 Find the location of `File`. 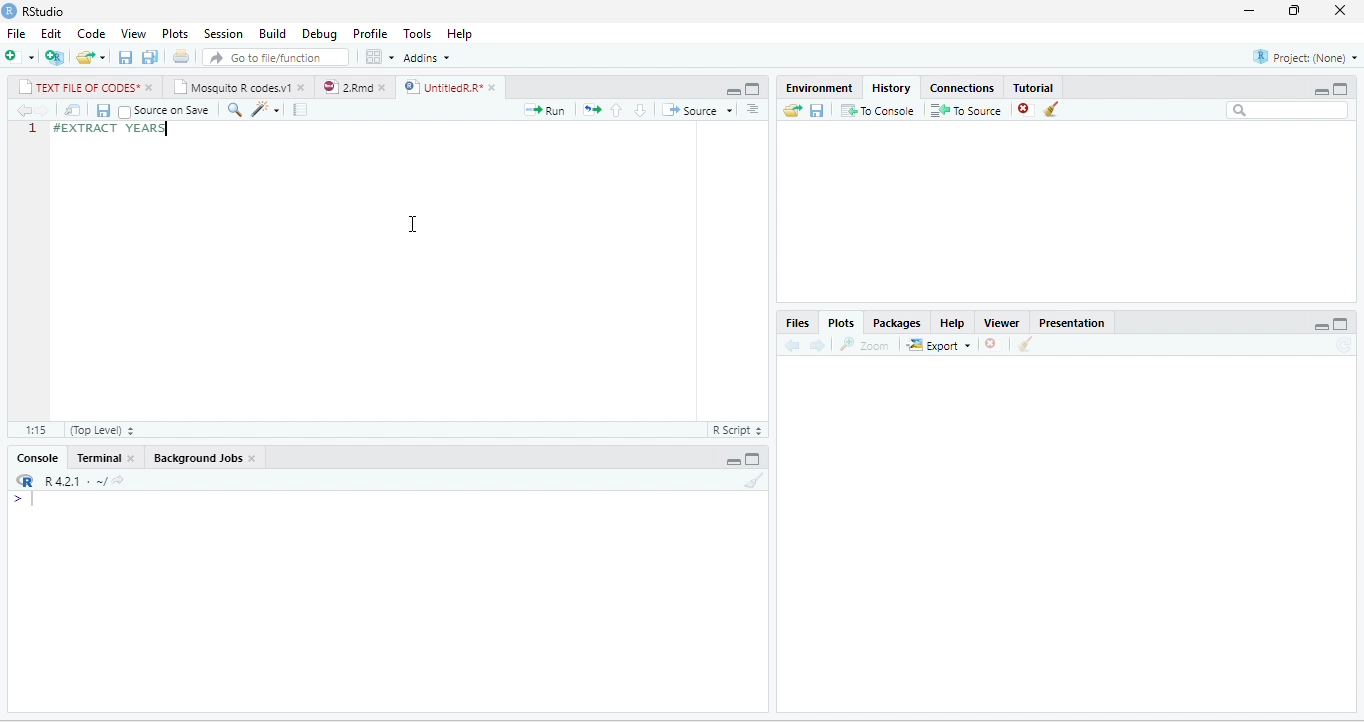

File is located at coordinates (16, 34).